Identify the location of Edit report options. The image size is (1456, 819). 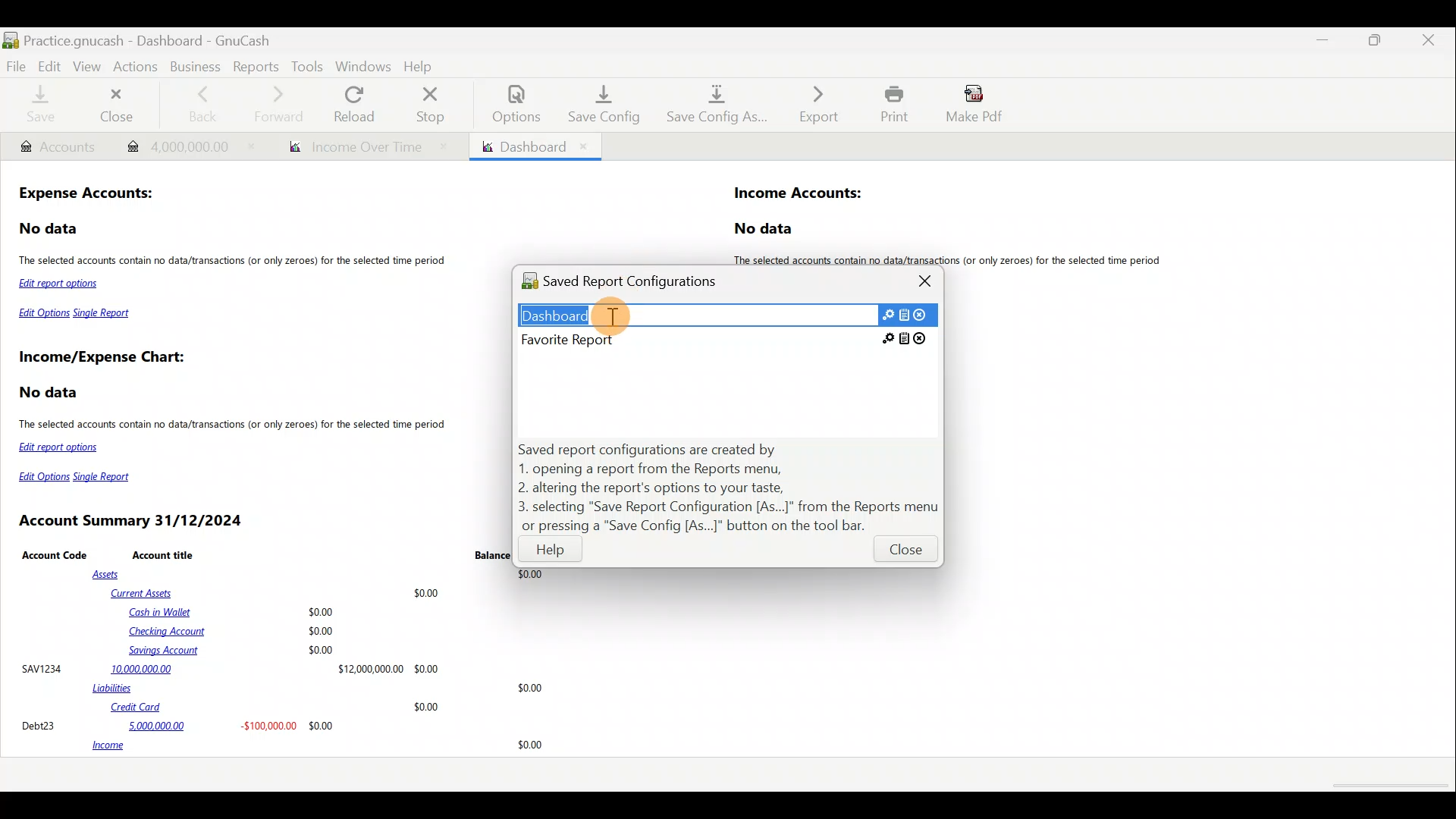
(61, 447).